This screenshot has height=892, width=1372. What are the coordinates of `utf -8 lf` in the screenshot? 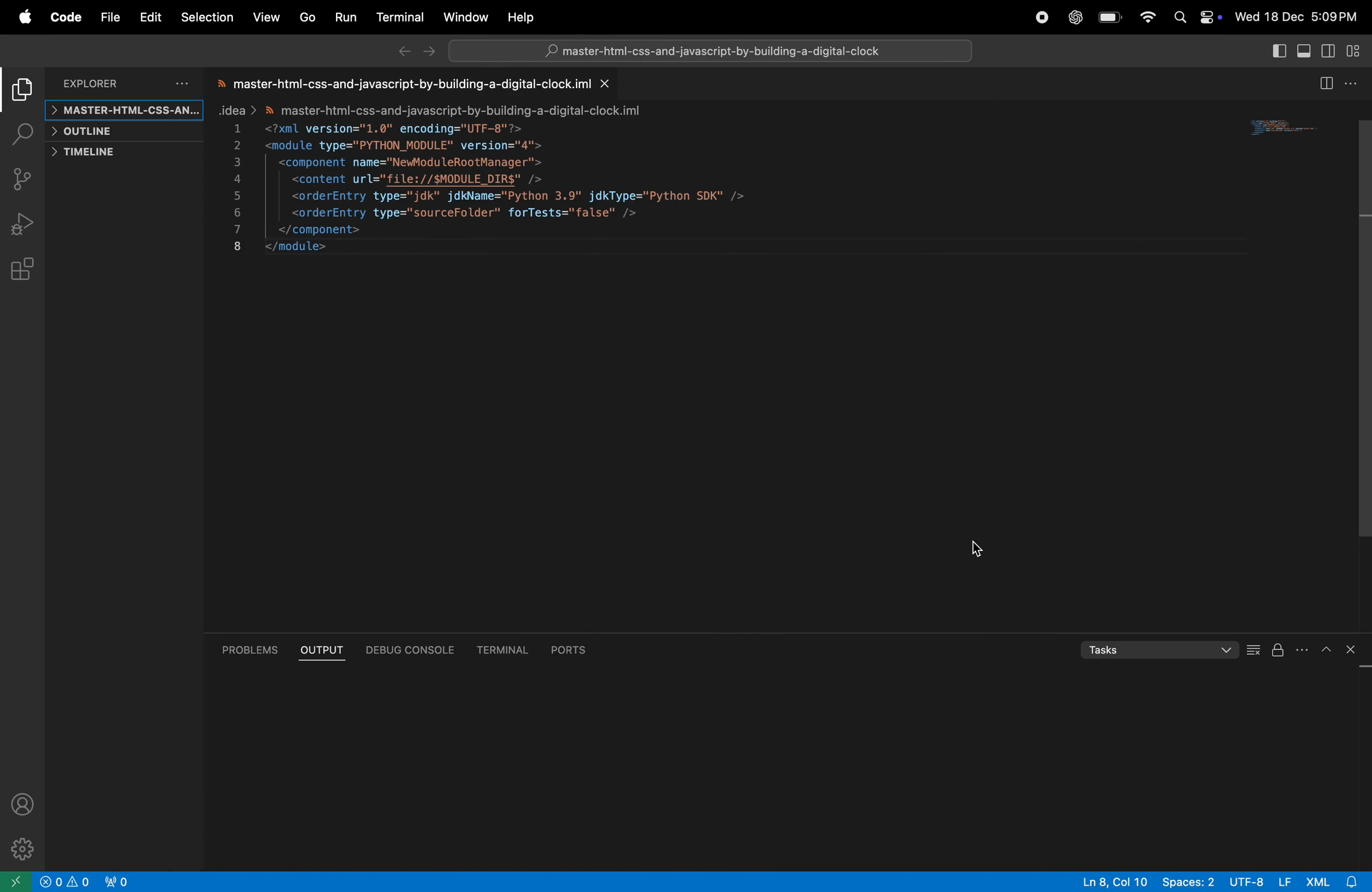 It's located at (1258, 880).